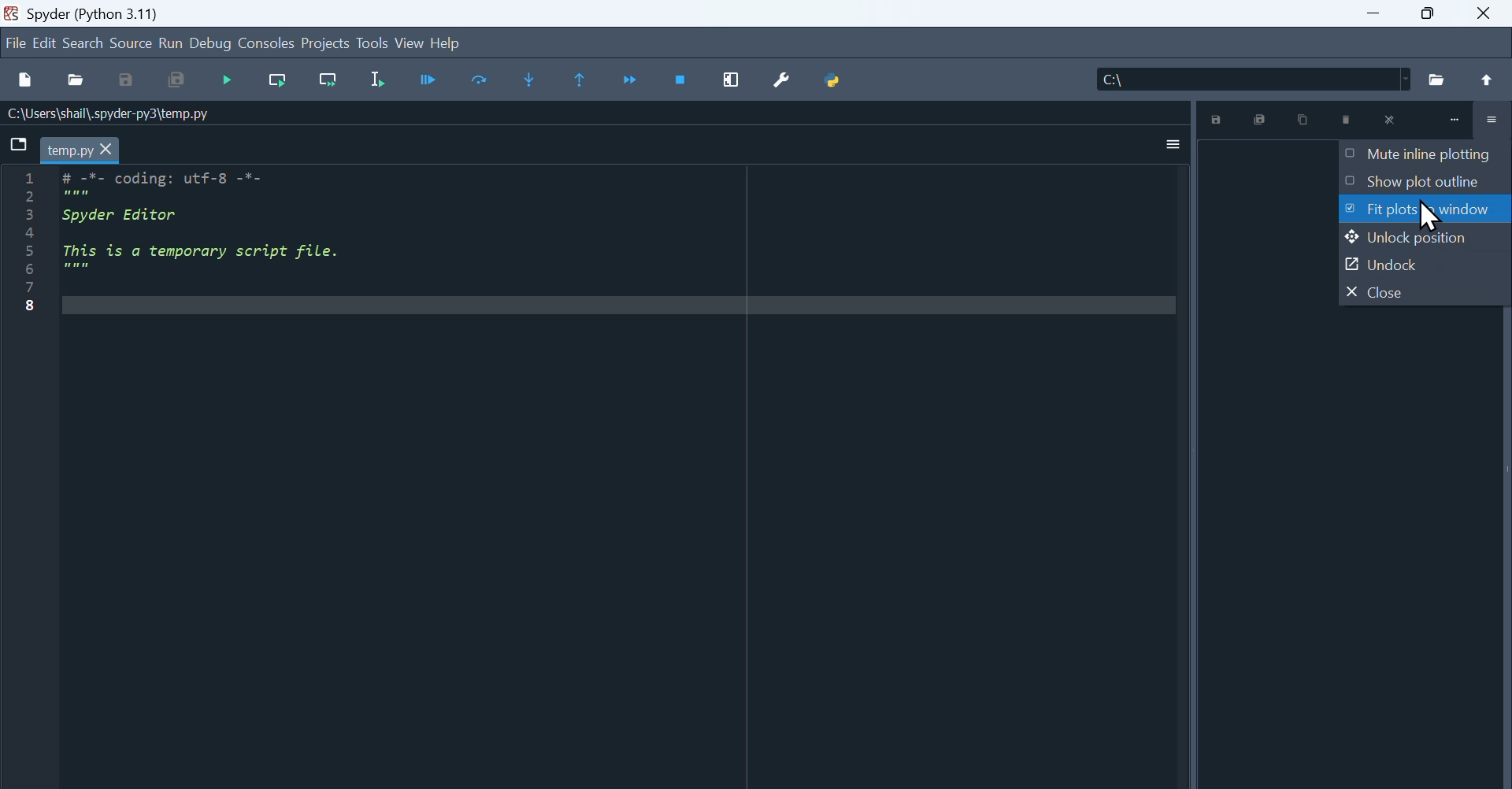 The image size is (1512, 789). What do you see at coordinates (372, 43) in the screenshot?
I see `Tools` at bounding box center [372, 43].